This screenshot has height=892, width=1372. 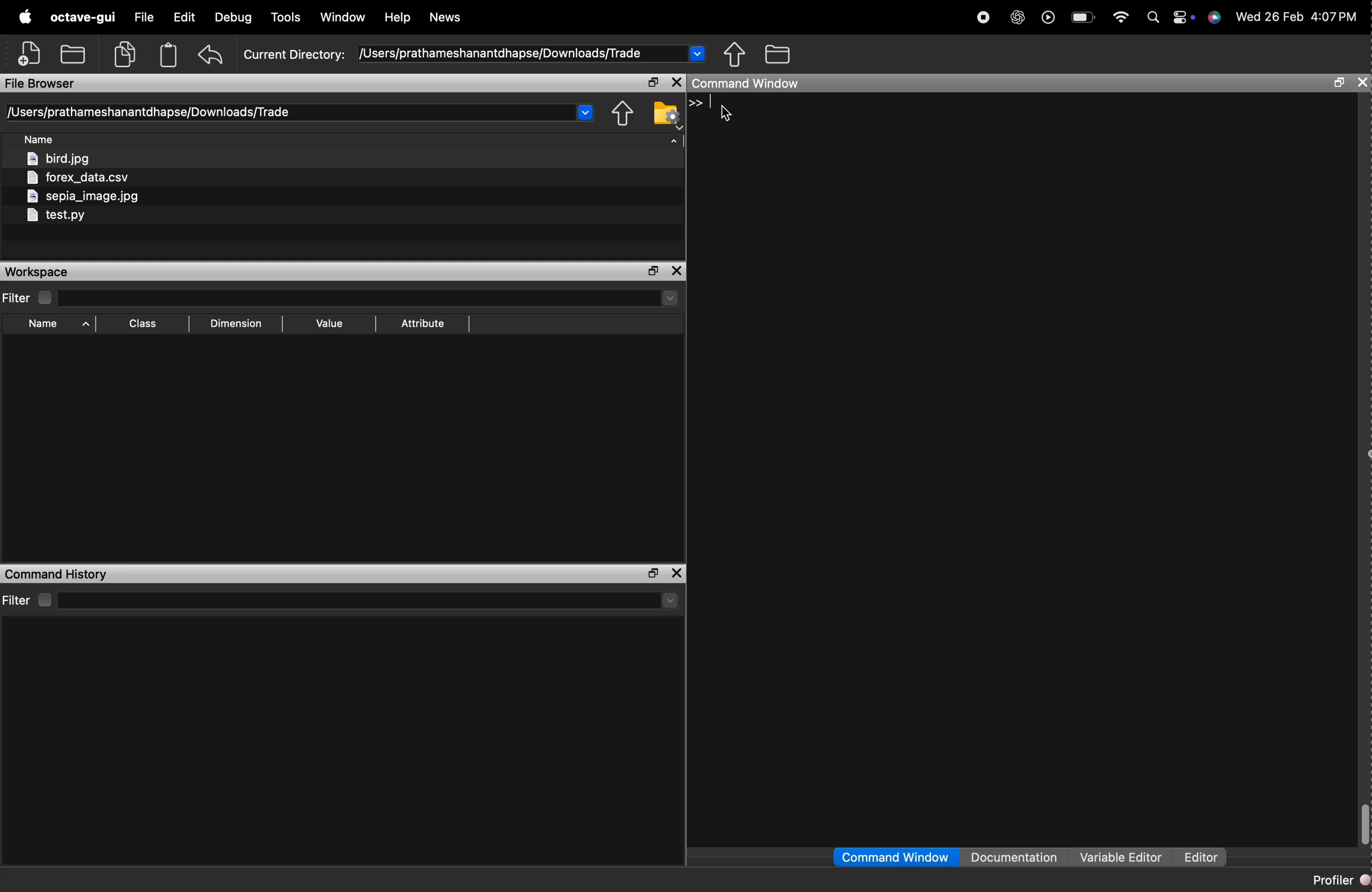 What do you see at coordinates (1016, 856) in the screenshot?
I see `Documentation ` at bounding box center [1016, 856].